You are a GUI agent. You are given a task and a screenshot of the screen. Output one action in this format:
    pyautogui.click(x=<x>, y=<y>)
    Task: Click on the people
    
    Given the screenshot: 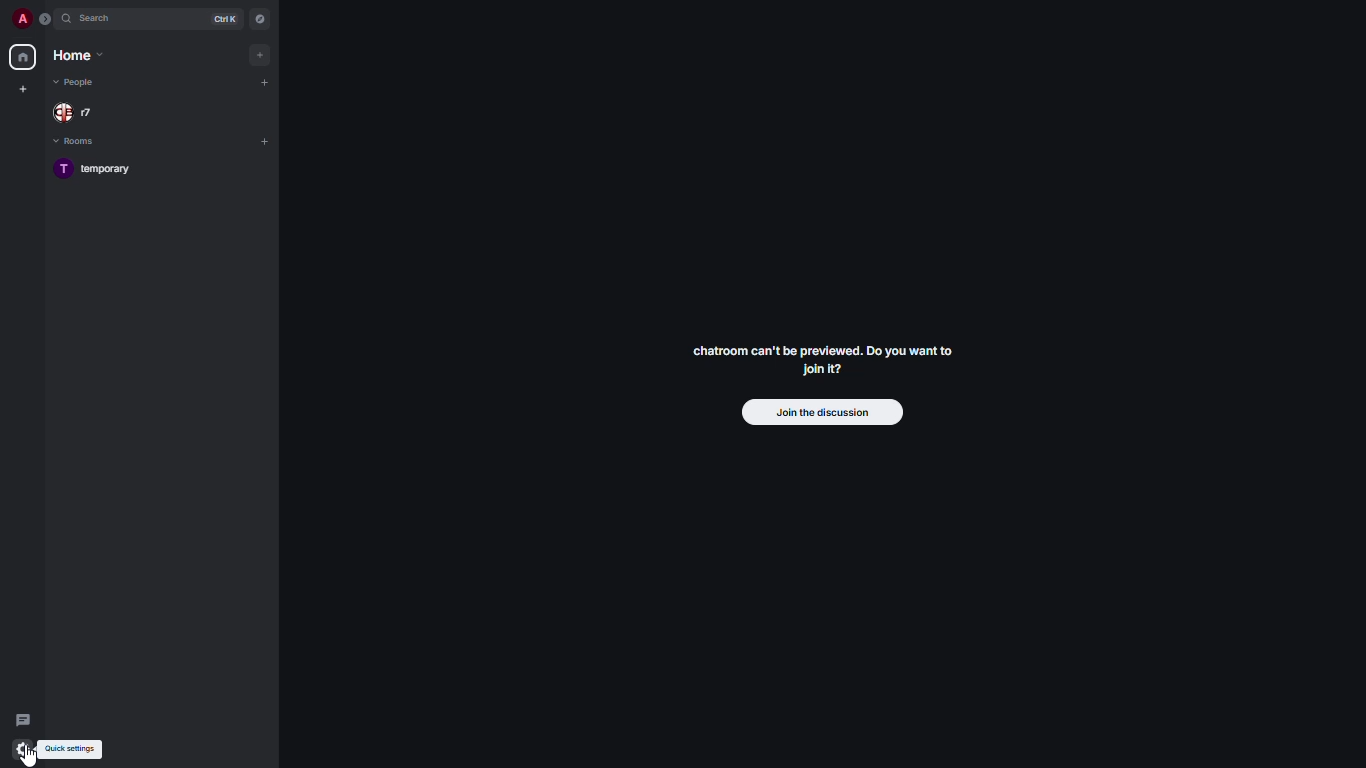 What is the action you would take?
    pyautogui.click(x=77, y=83)
    